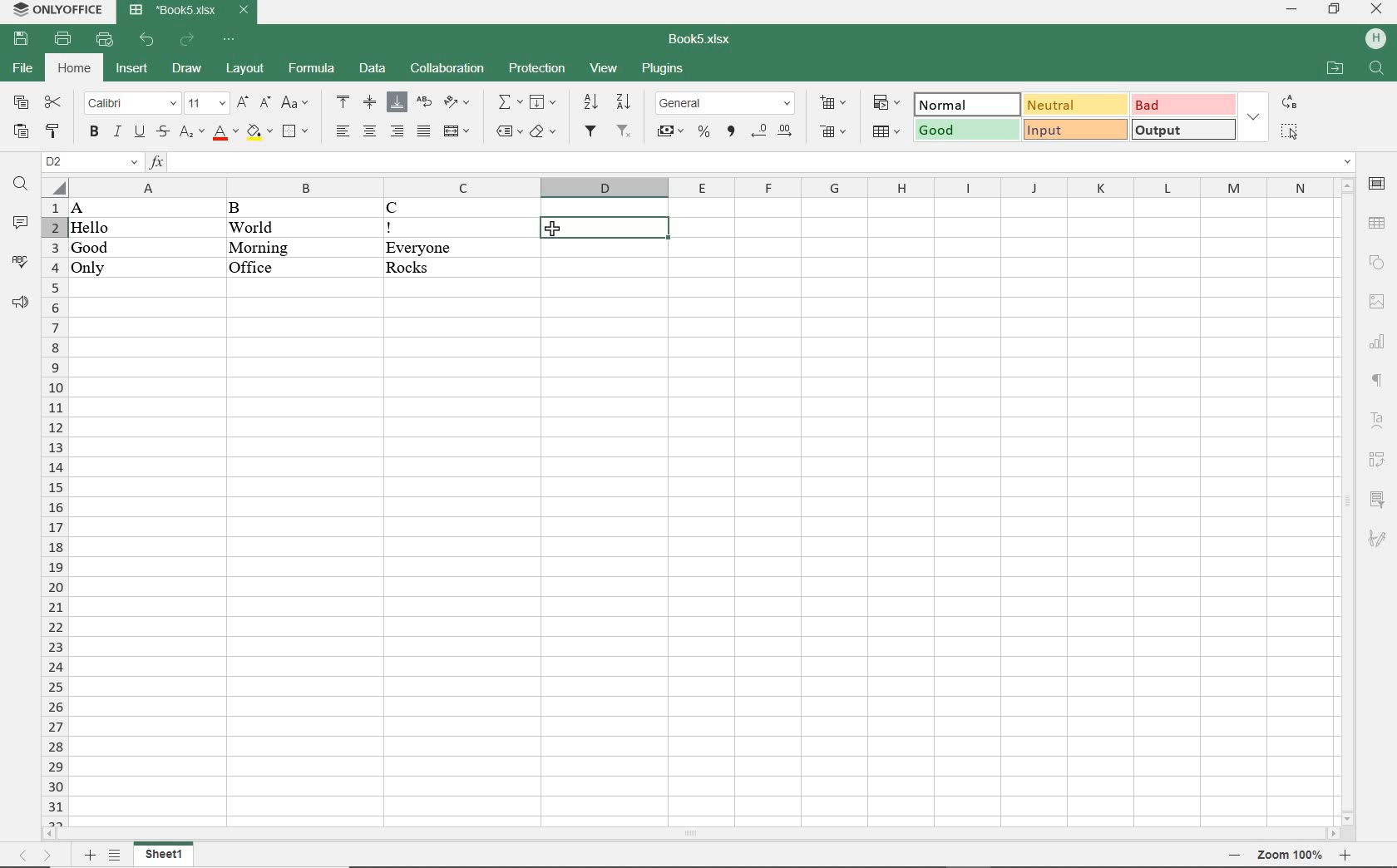 The height and width of the screenshot is (868, 1397). Describe the element at coordinates (55, 10) in the screenshot. I see `system name` at that location.